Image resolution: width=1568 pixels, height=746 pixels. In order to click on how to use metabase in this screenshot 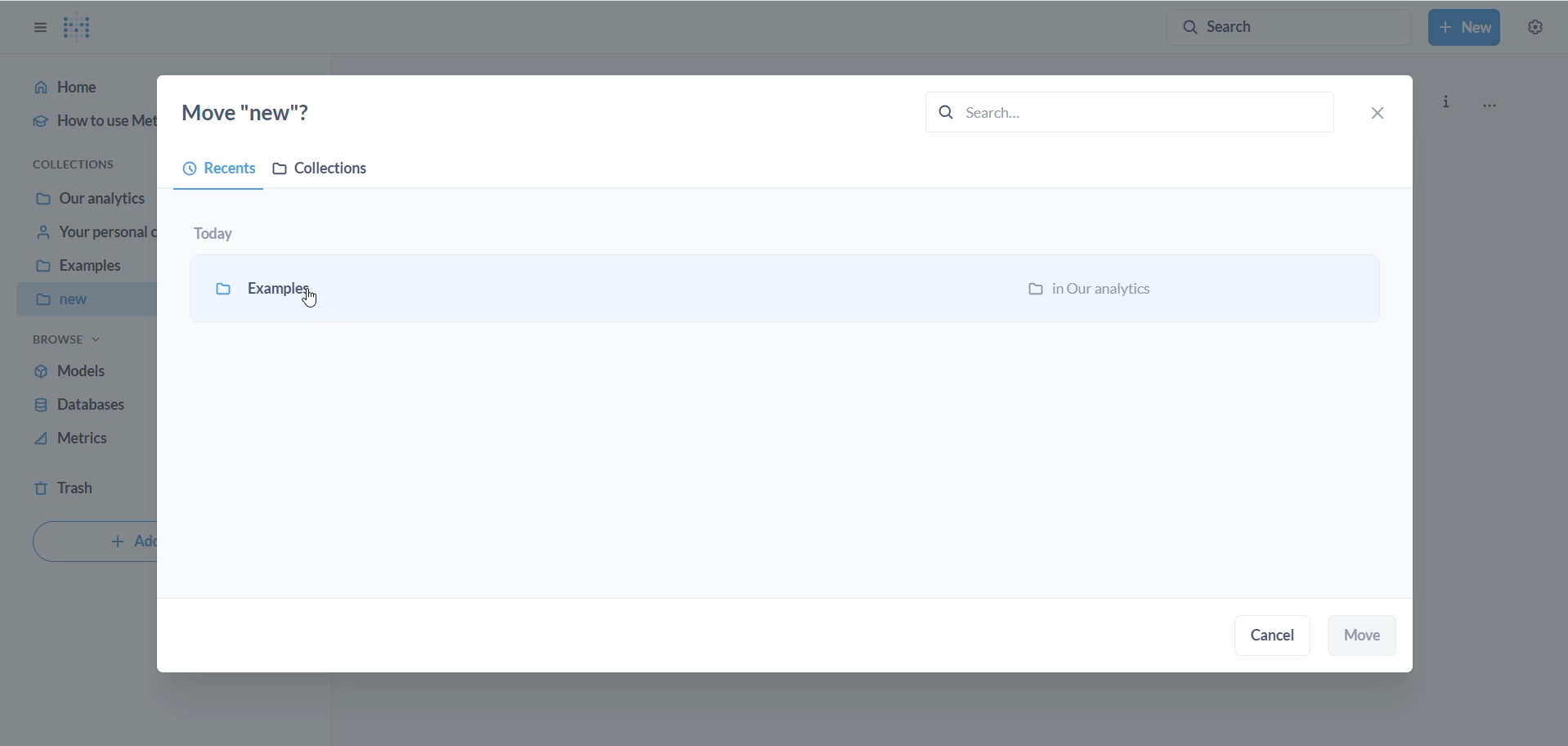, I will do `click(82, 127)`.